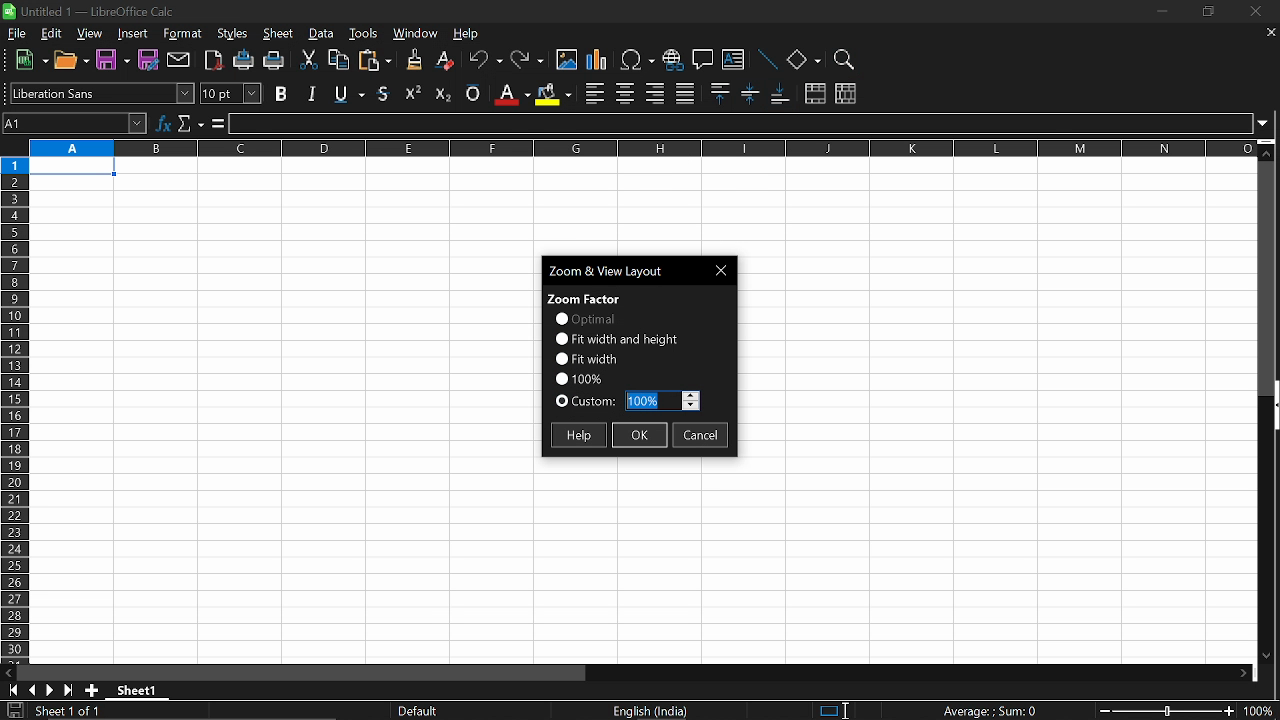  Describe the element at coordinates (750, 93) in the screenshot. I see `center vertically` at that location.